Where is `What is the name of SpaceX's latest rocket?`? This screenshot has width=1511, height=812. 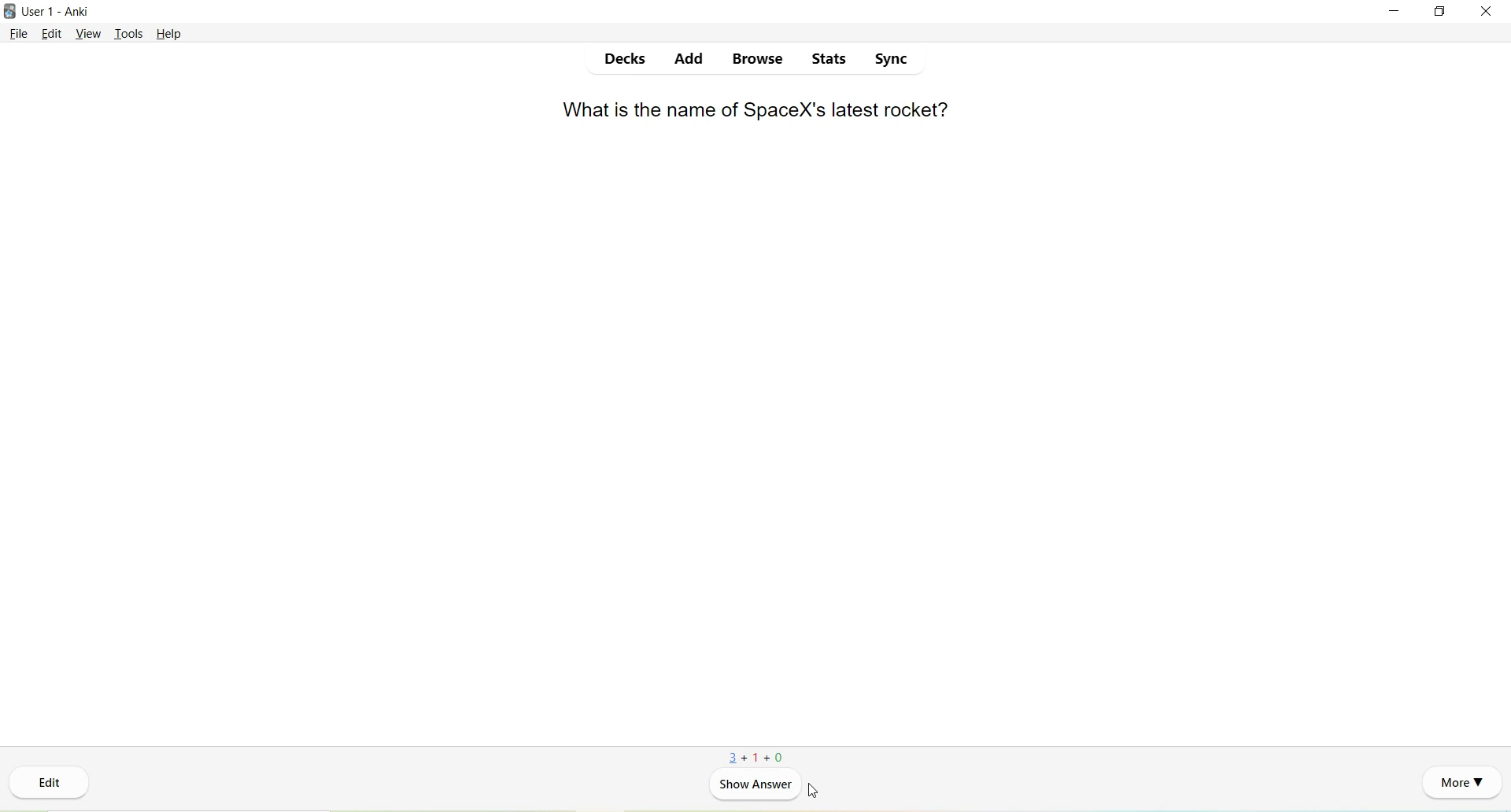
What is the name of SpaceX's latest rocket? is located at coordinates (754, 112).